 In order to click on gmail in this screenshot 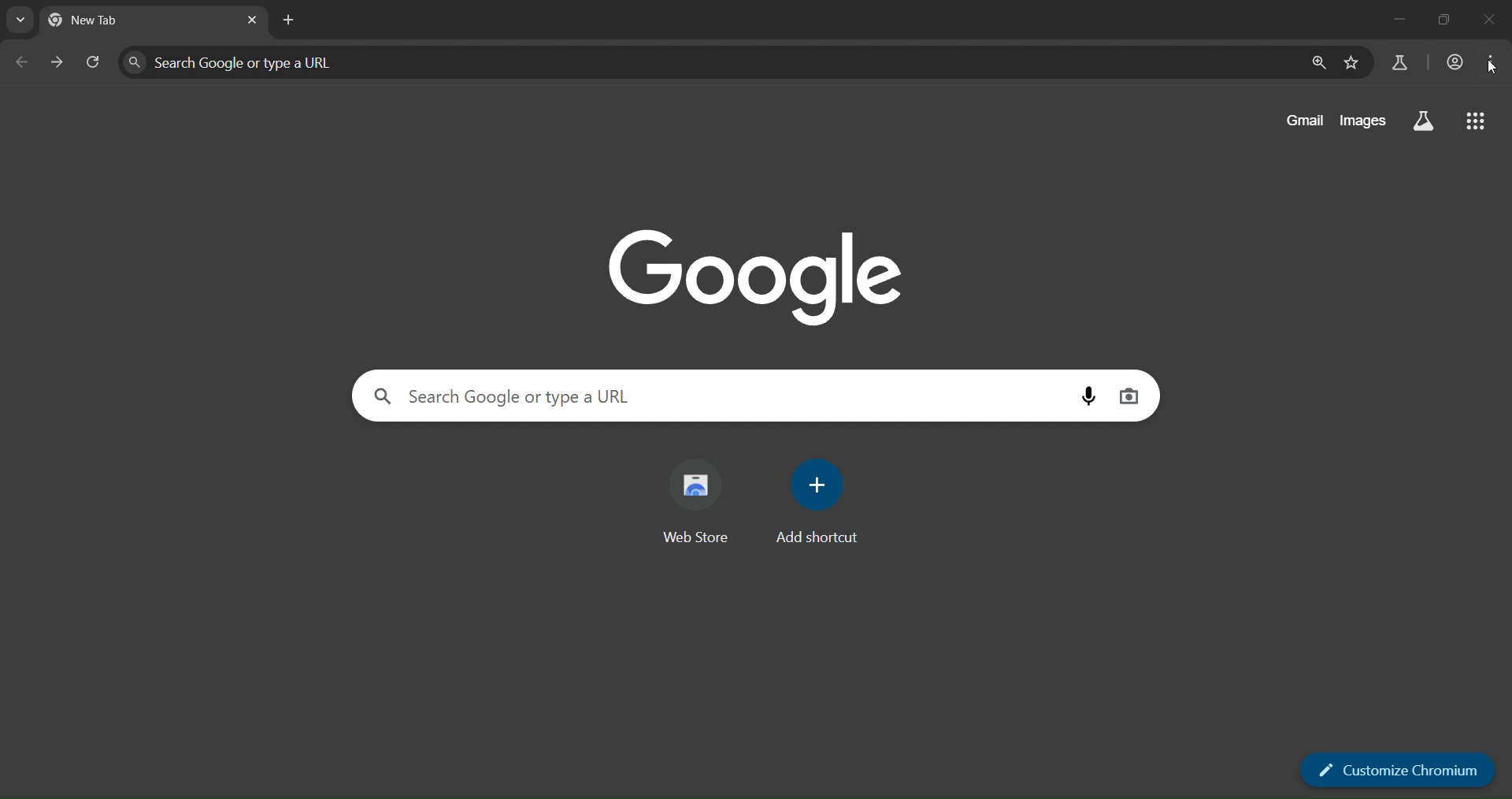, I will do `click(1307, 122)`.